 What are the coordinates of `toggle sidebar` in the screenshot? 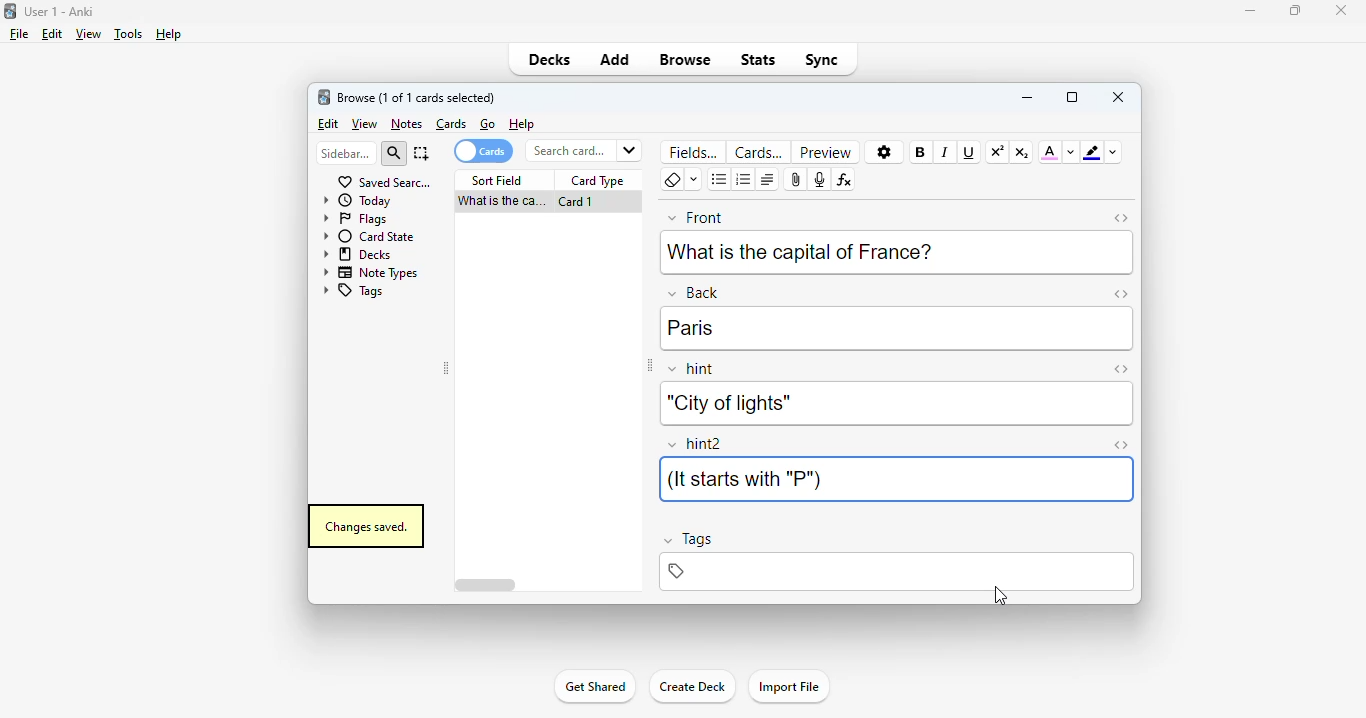 It's located at (648, 366).